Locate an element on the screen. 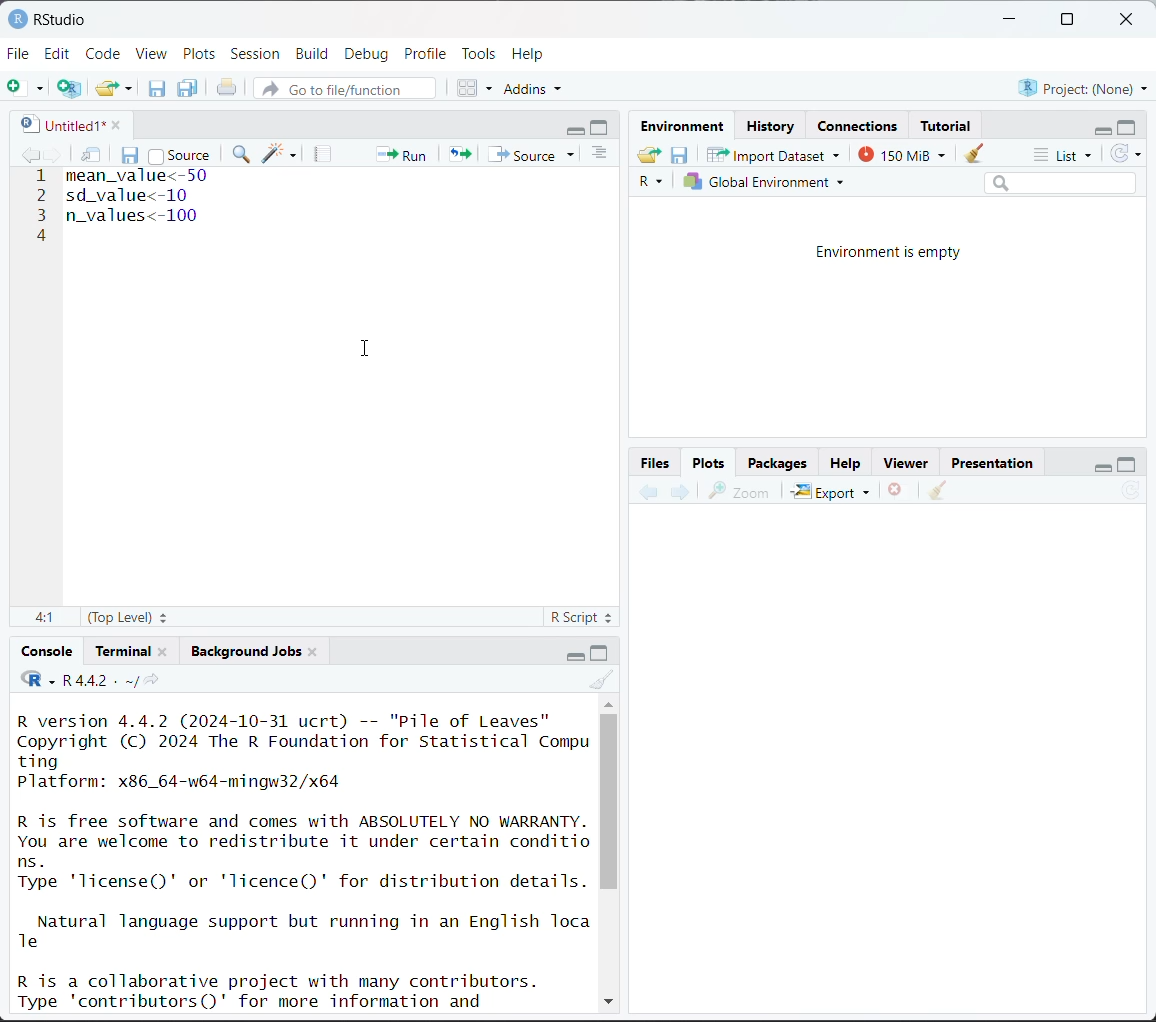 The image size is (1156, 1022). clear console is located at coordinates (604, 680).